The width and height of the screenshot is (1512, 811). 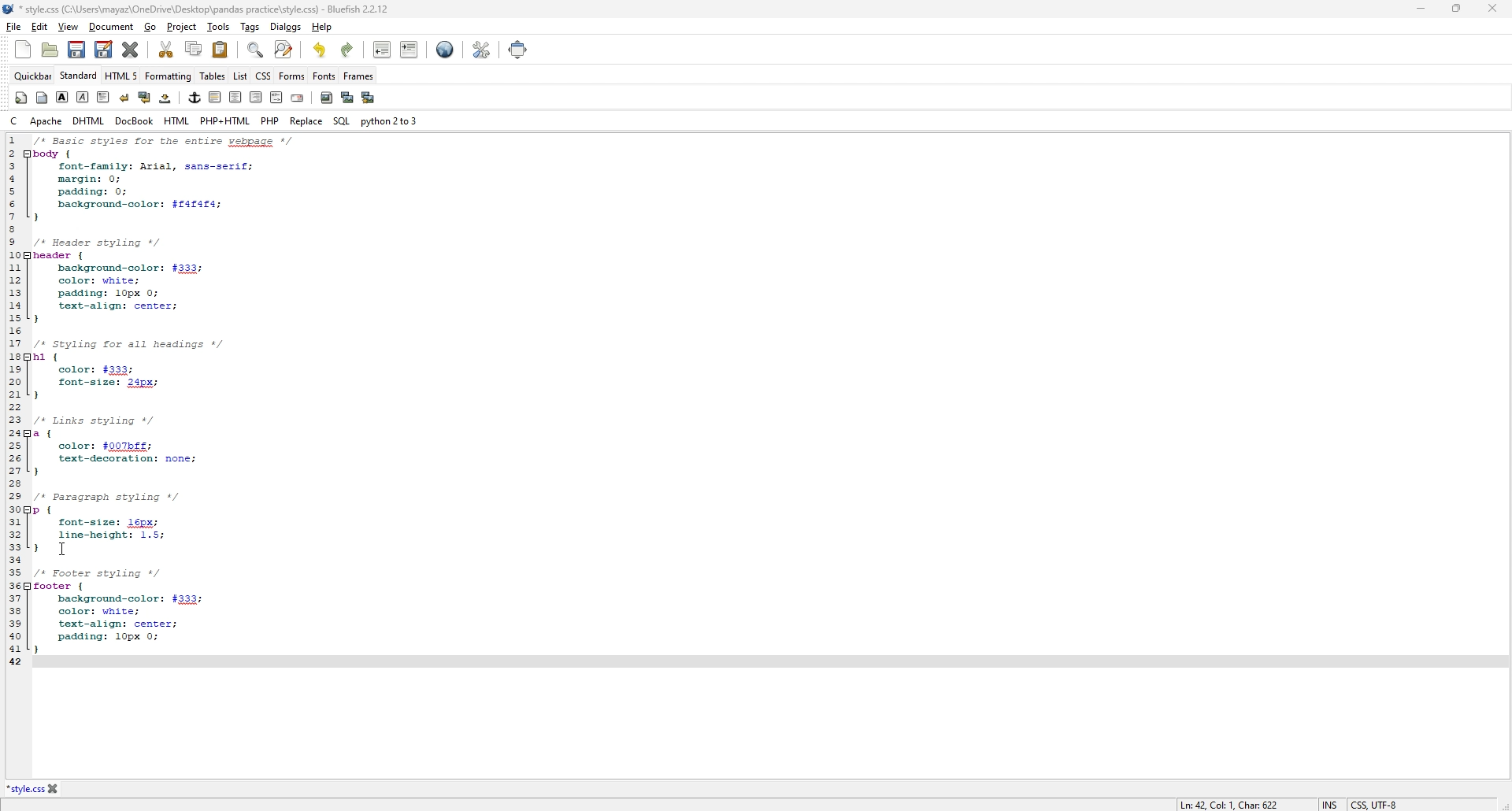 What do you see at coordinates (256, 97) in the screenshot?
I see `right justify` at bounding box center [256, 97].